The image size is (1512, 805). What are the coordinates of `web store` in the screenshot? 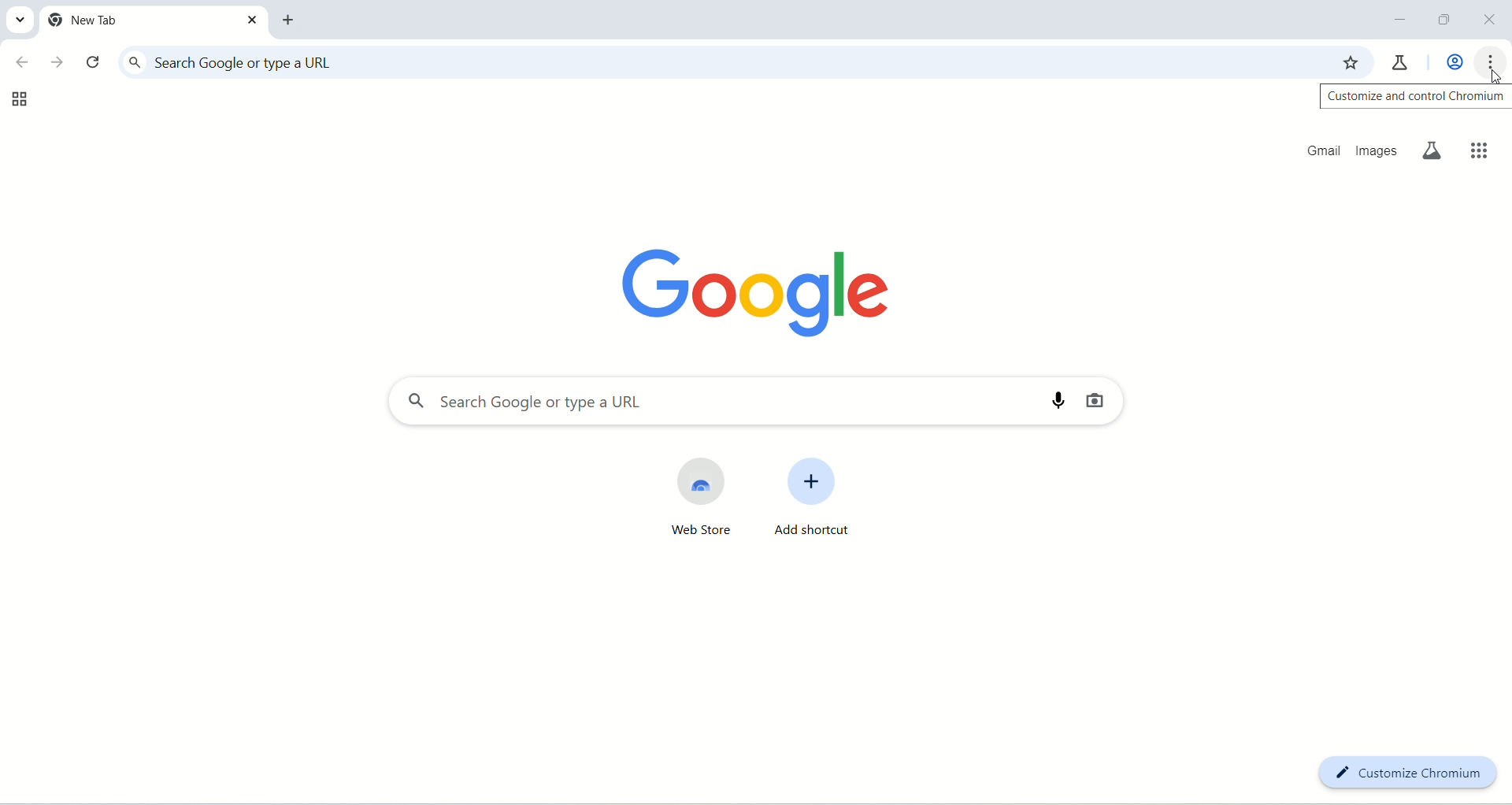 It's located at (693, 503).